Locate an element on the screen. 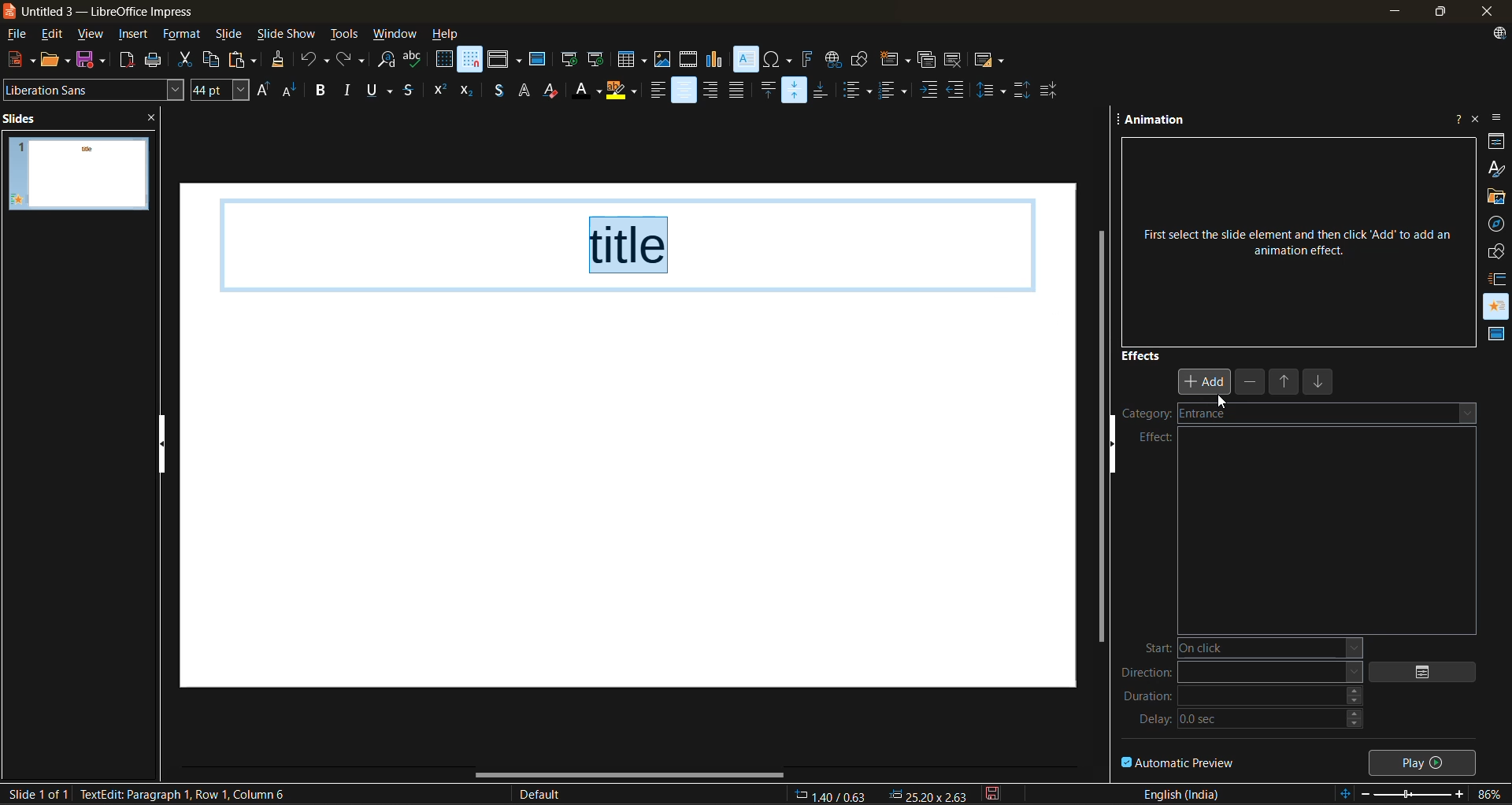 This screenshot has height=805, width=1512. automatic preview is located at coordinates (1179, 762).